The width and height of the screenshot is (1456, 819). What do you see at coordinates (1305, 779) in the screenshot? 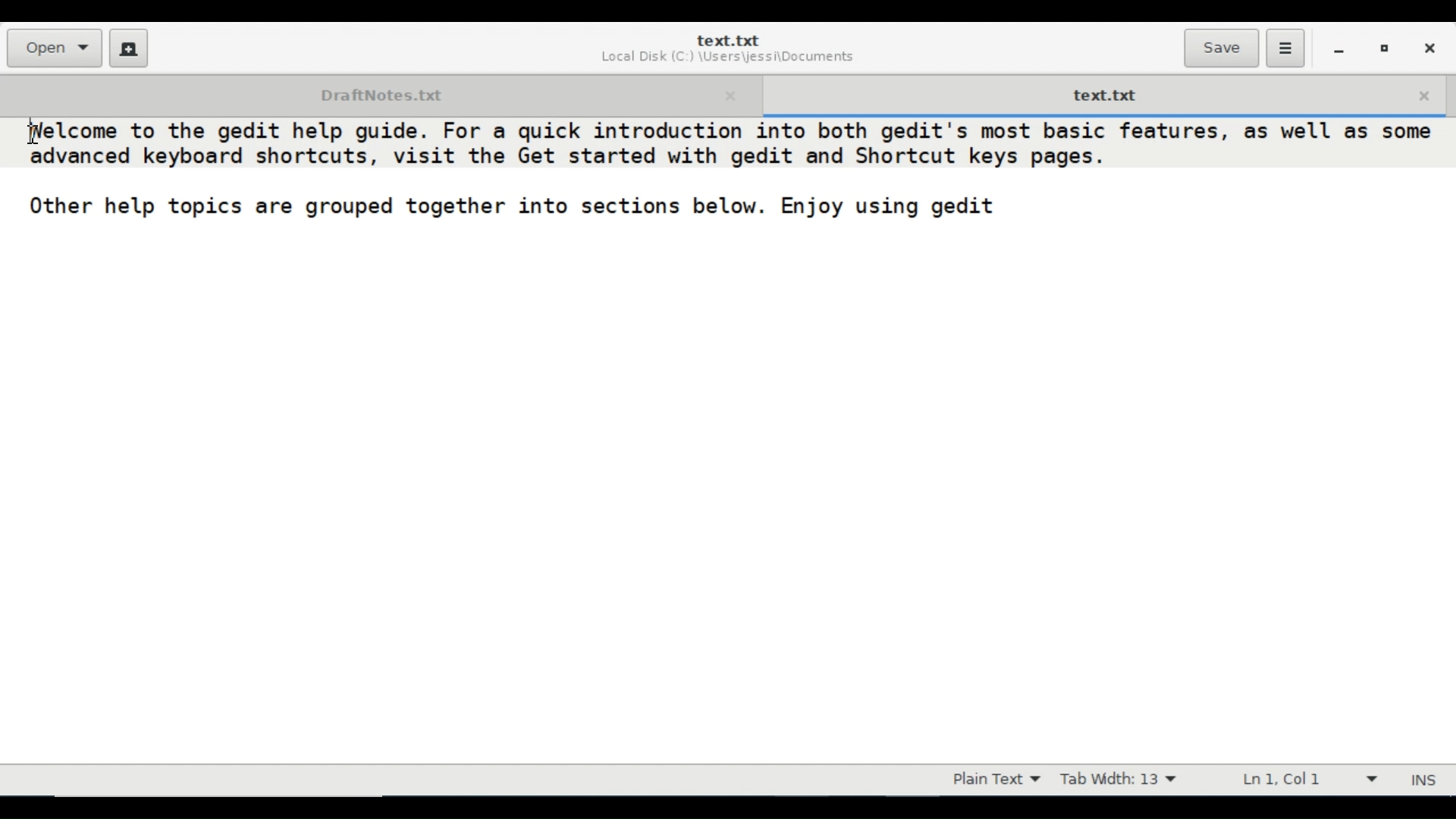
I see `Line & Column` at bounding box center [1305, 779].